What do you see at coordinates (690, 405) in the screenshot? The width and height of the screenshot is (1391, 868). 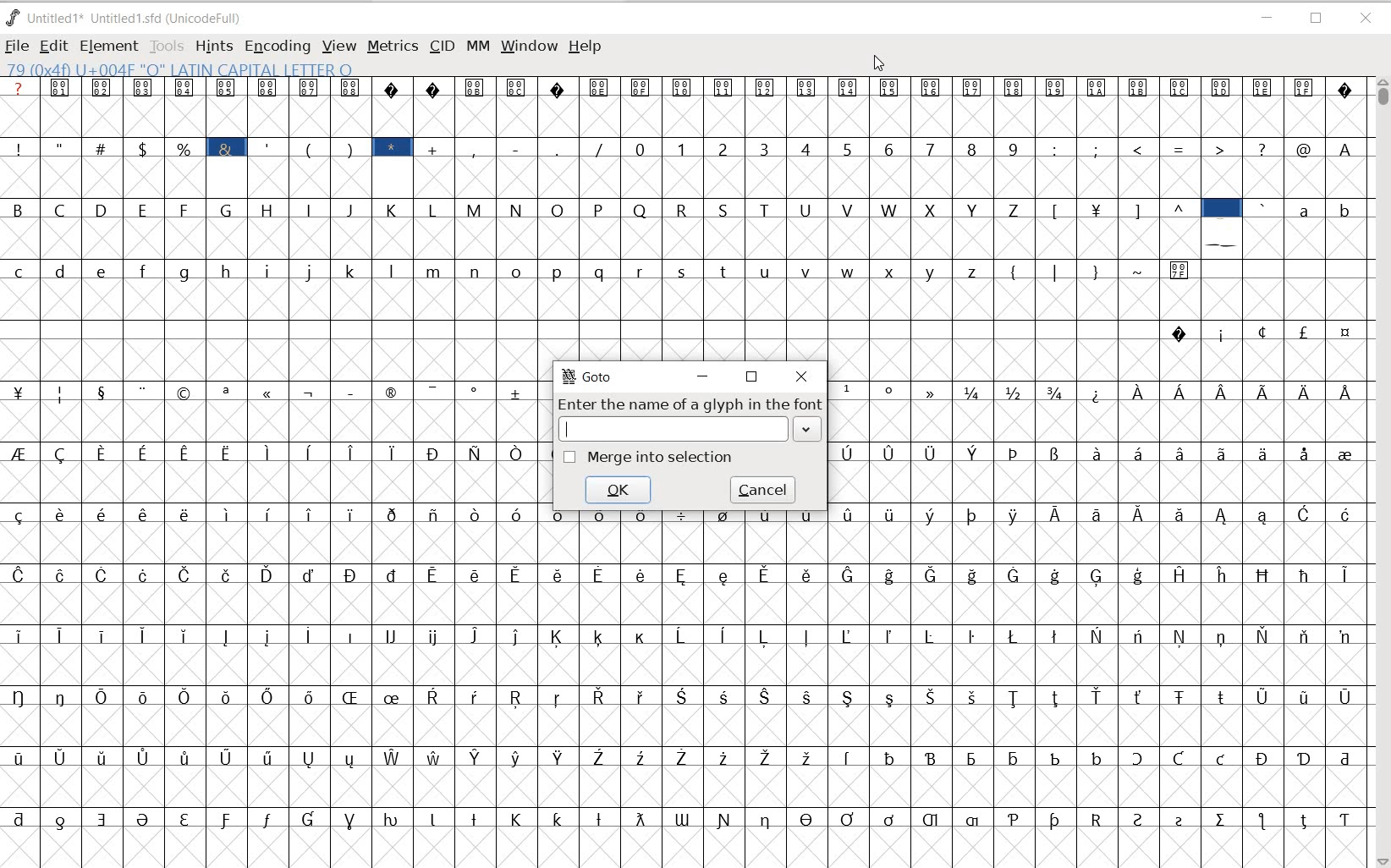 I see `Enter the name of a glyph in the font` at bounding box center [690, 405].